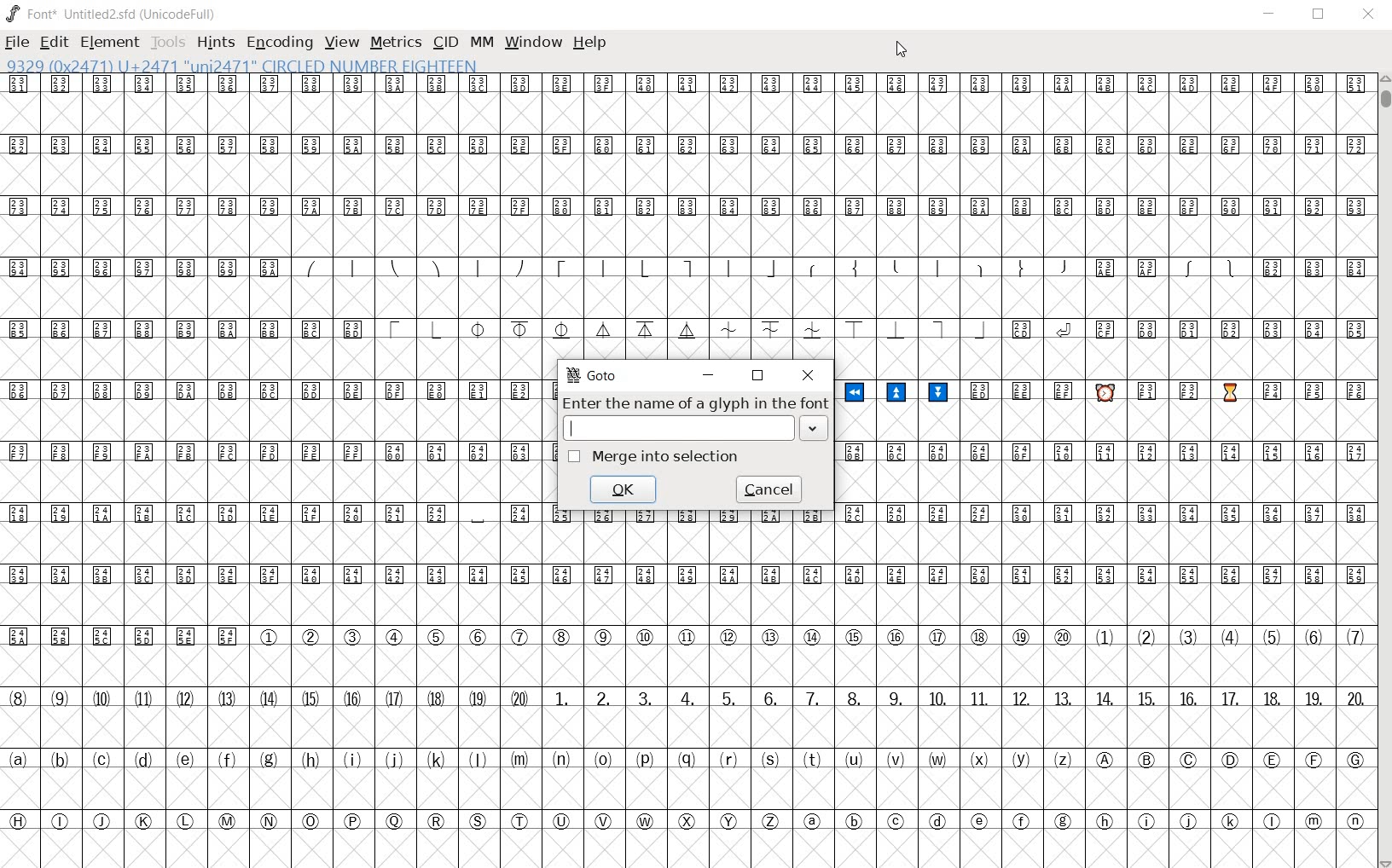 This screenshot has height=868, width=1392. What do you see at coordinates (481, 40) in the screenshot?
I see `mm` at bounding box center [481, 40].